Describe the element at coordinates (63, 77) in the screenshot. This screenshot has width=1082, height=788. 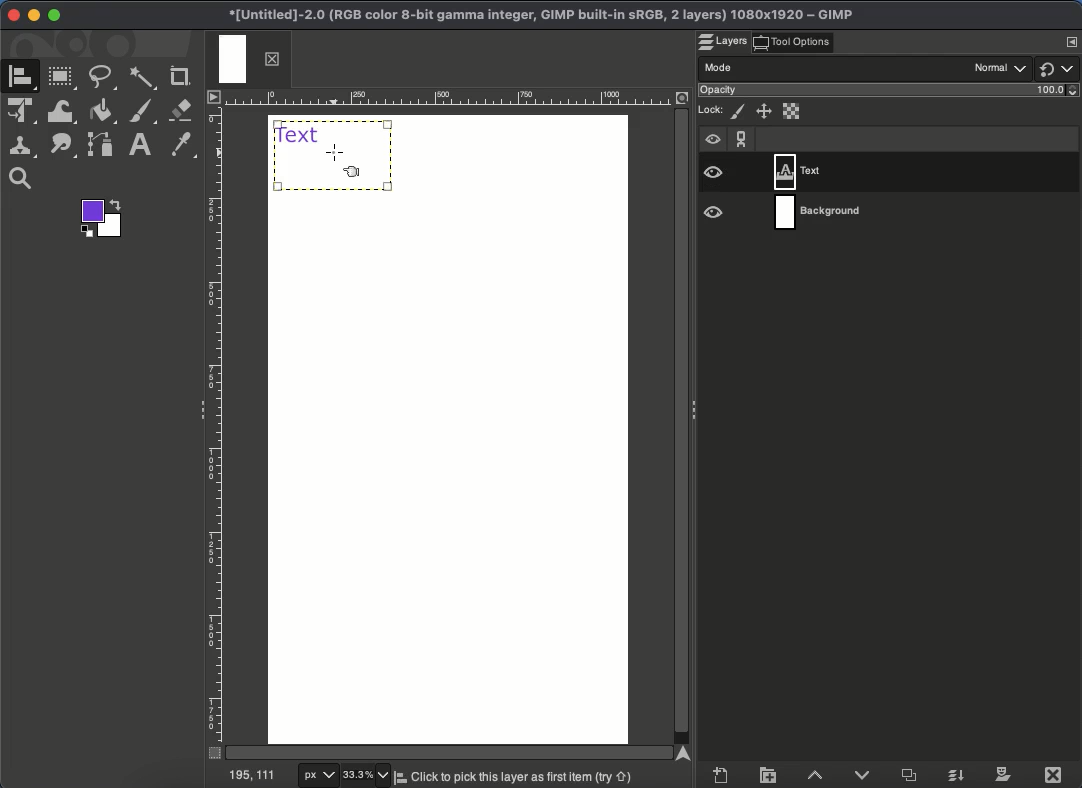
I see `Rectangular tool` at that location.